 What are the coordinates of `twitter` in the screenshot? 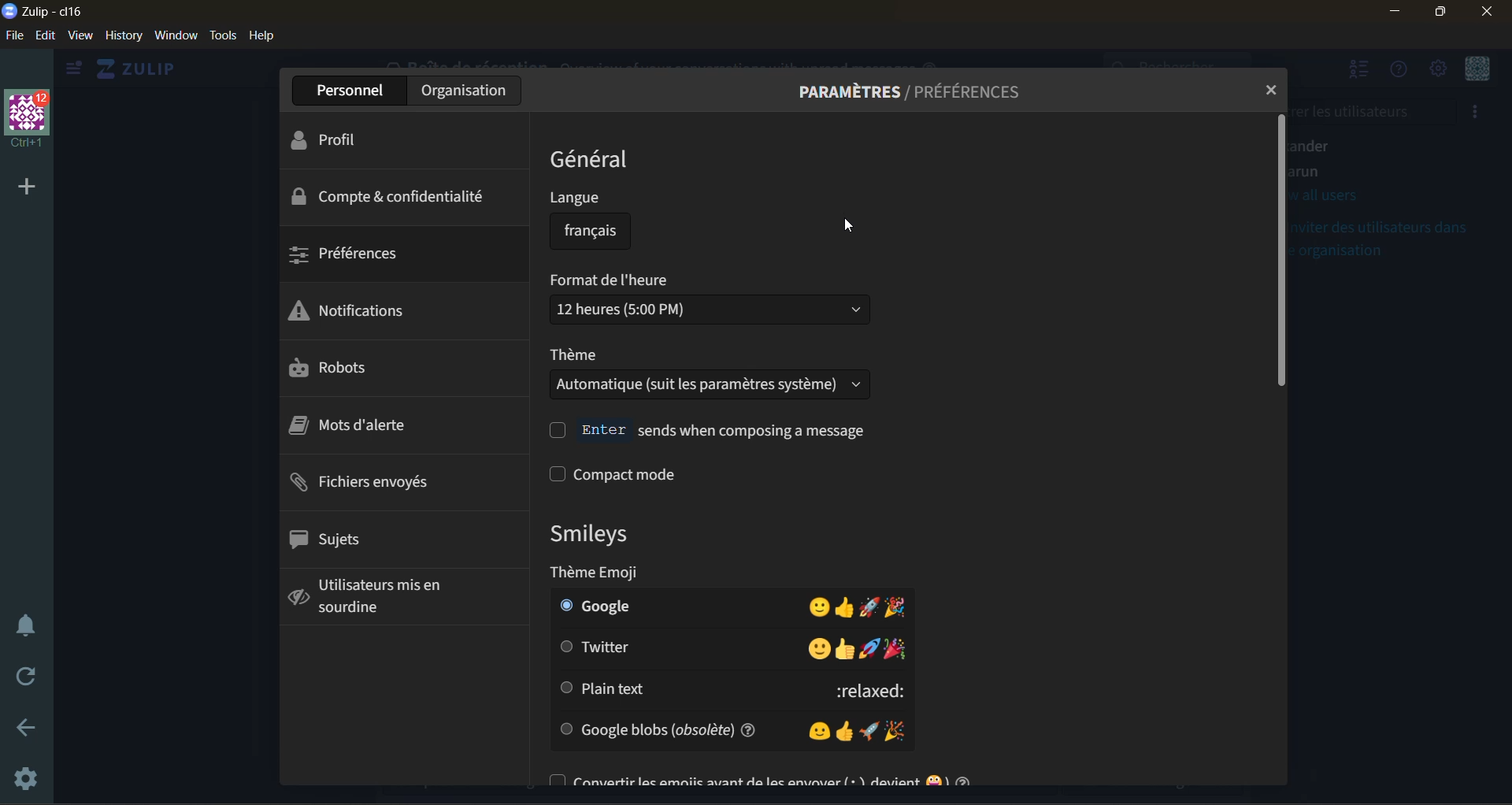 It's located at (724, 647).